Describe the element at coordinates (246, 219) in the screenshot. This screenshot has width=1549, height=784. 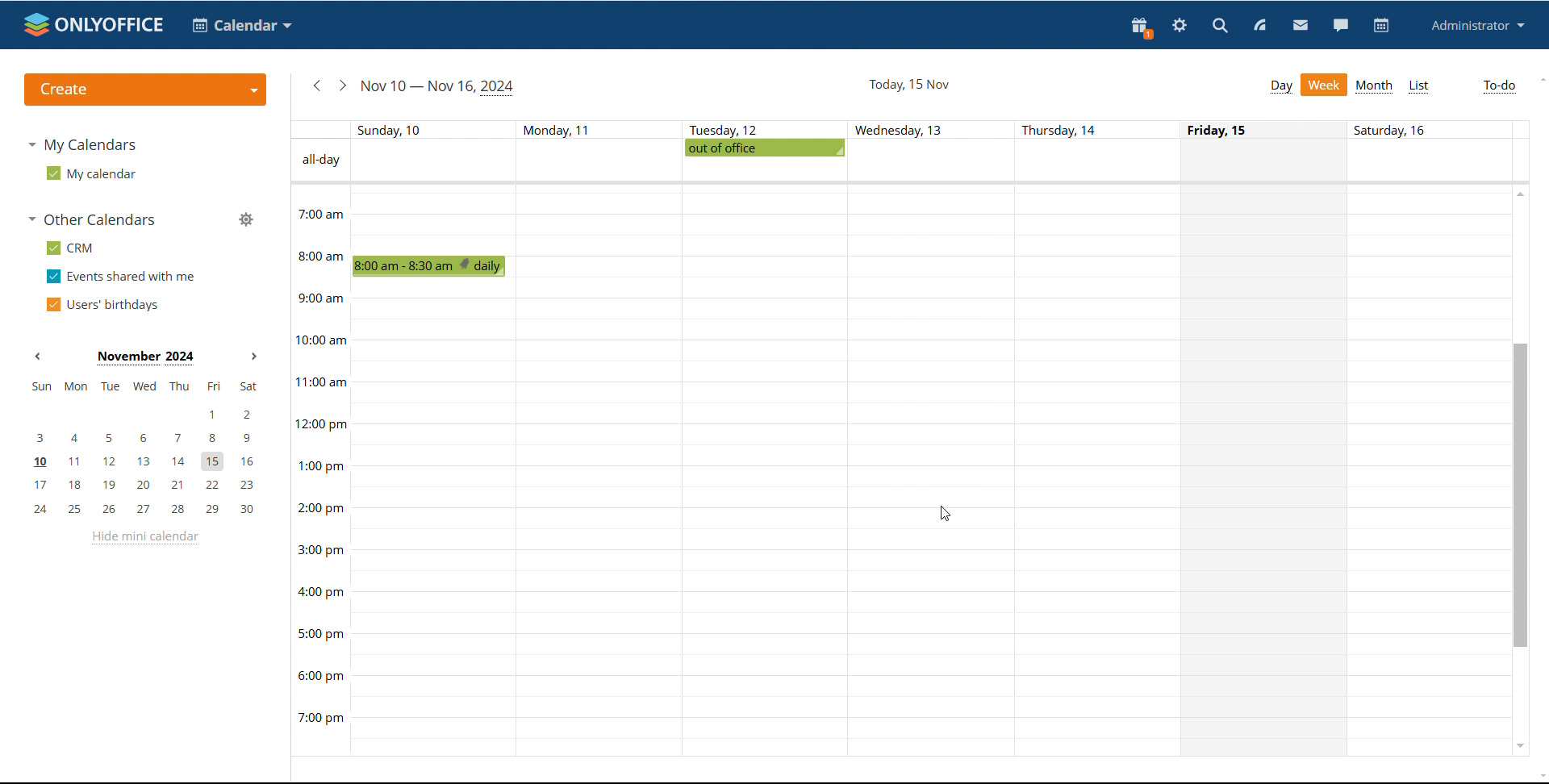
I see `manage` at that location.